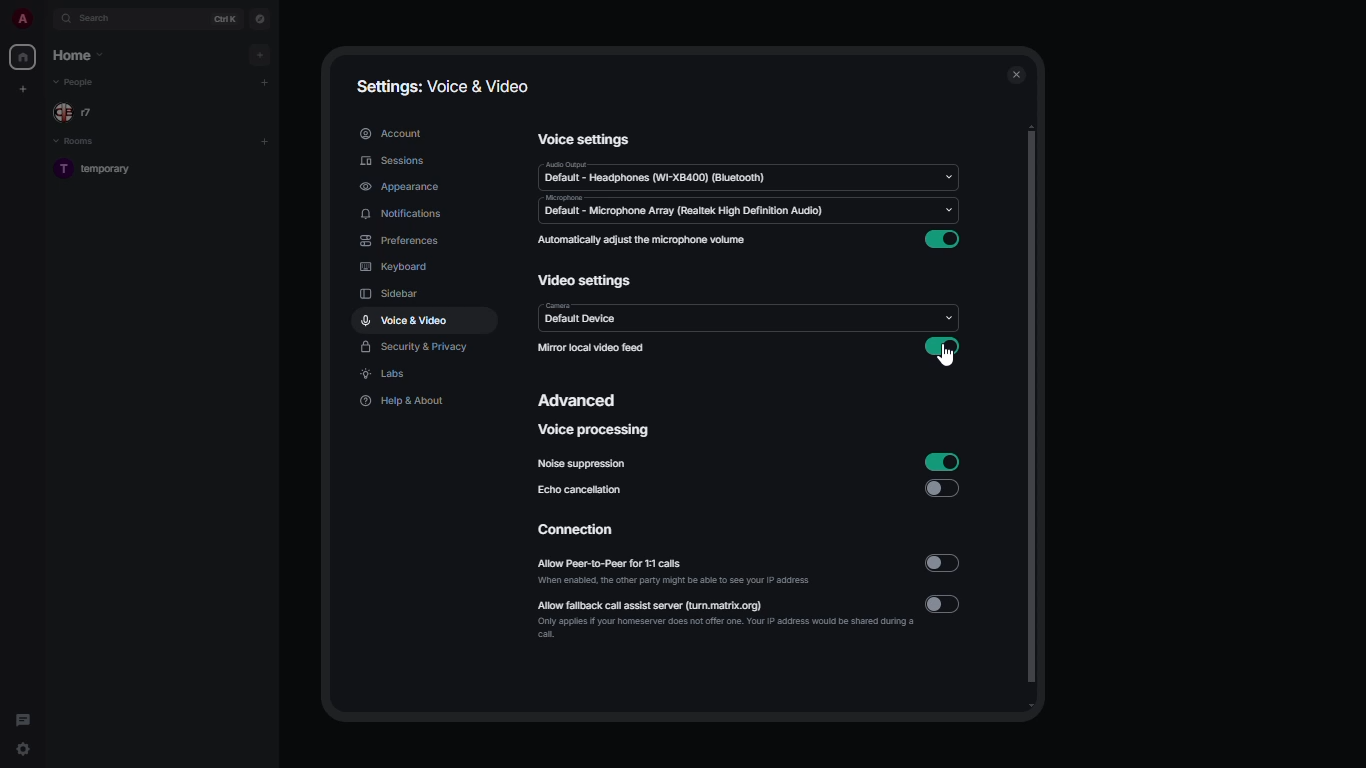  Describe the element at coordinates (942, 349) in the screenshot. I see `enabled` at that location.